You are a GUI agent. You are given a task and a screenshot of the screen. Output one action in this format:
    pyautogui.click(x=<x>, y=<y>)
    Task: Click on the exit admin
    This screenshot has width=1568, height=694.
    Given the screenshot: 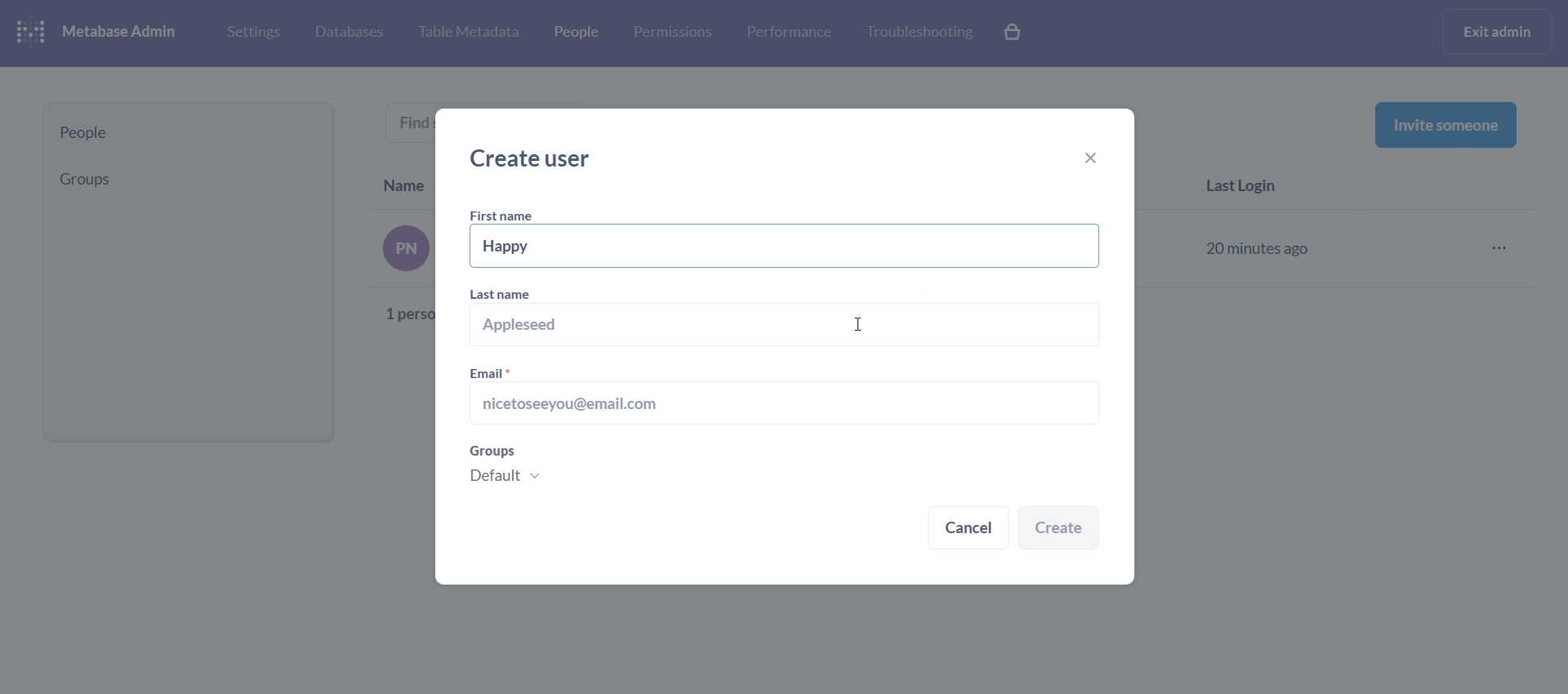 What is the action you would take?
    pyautogui.click(x=1500, y=31)
    